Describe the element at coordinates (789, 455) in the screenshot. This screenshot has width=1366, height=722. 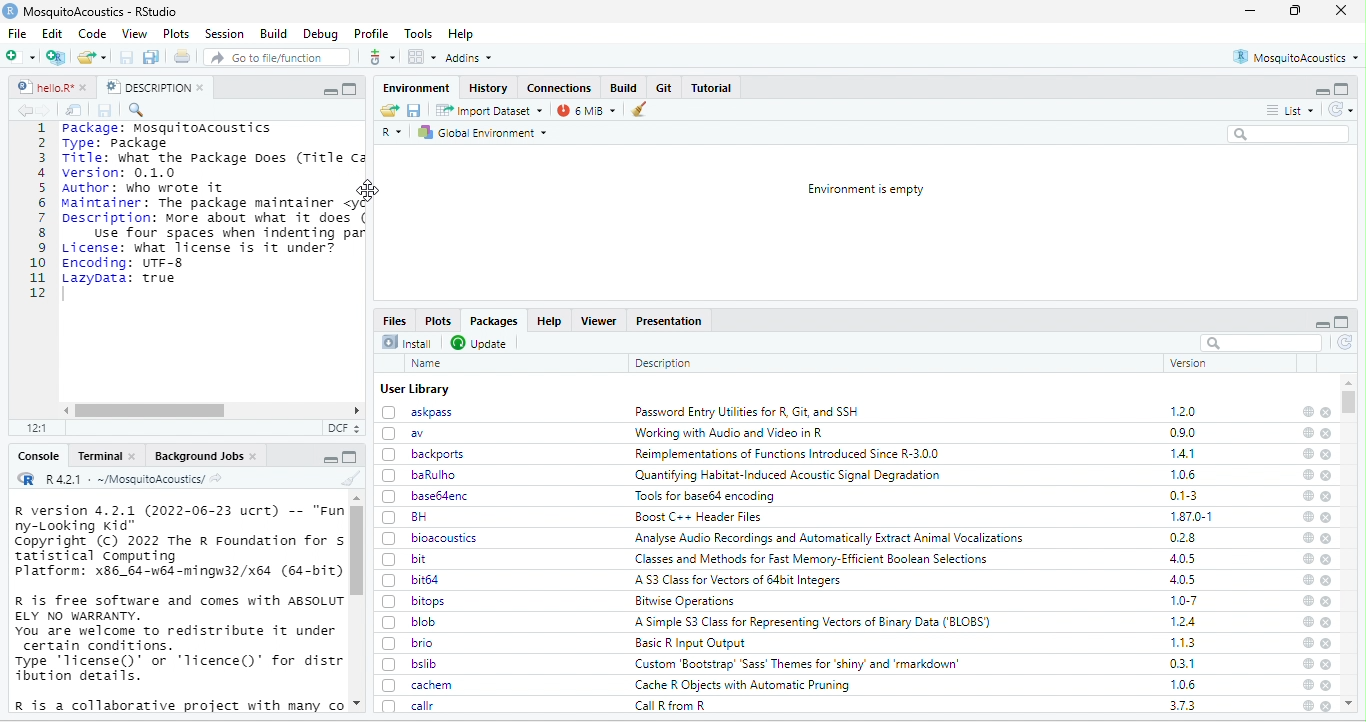
I see `Reimplementations of Functions Introduced Since R-3.00` at that location.